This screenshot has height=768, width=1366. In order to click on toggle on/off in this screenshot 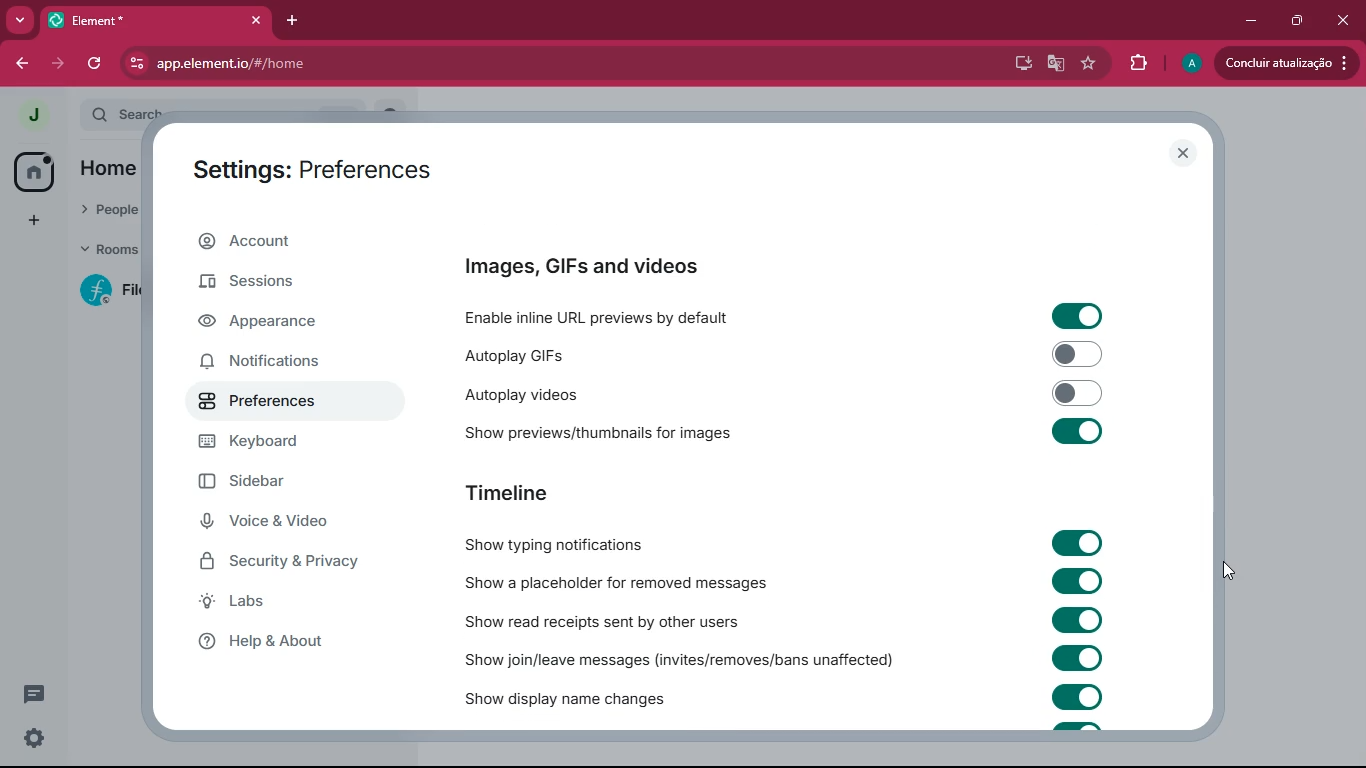, I will do `click(1078, 354)`.